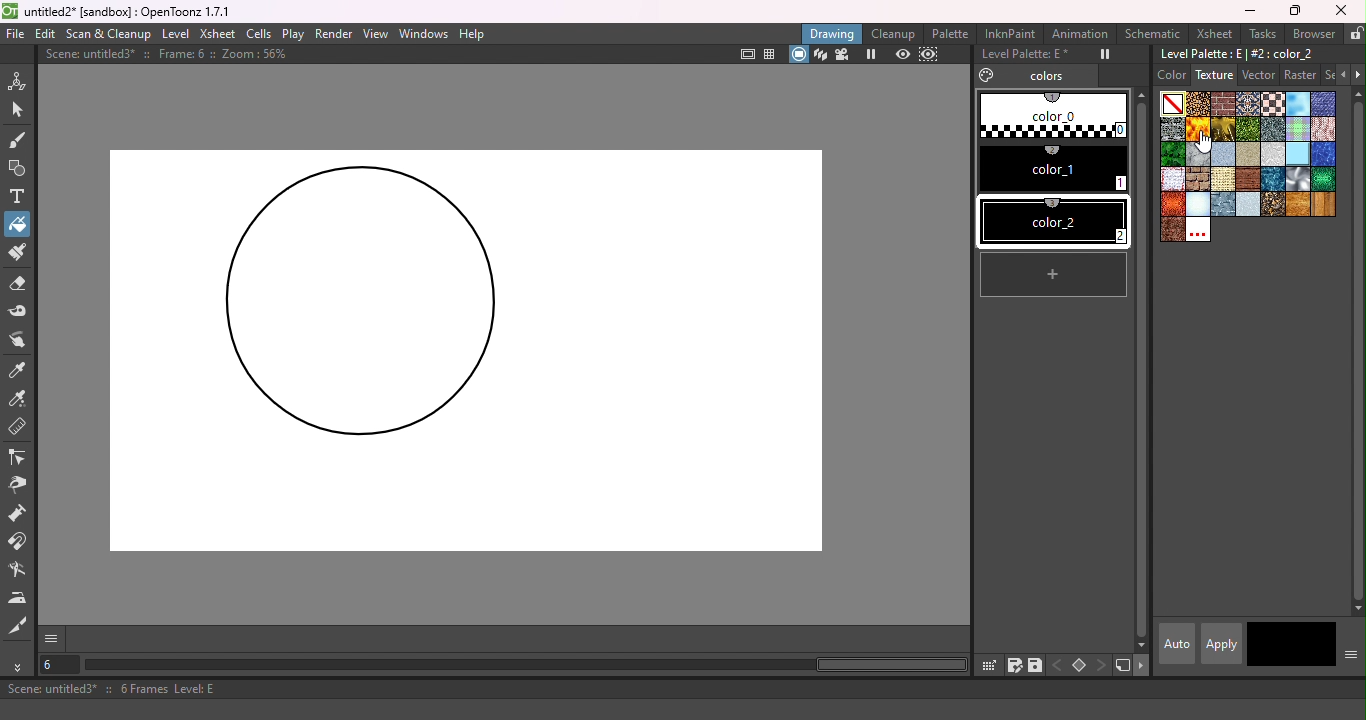  Describe the element at coordinates (1273, 153) in the screenshot. I see `papercrump.bmp` at that location.